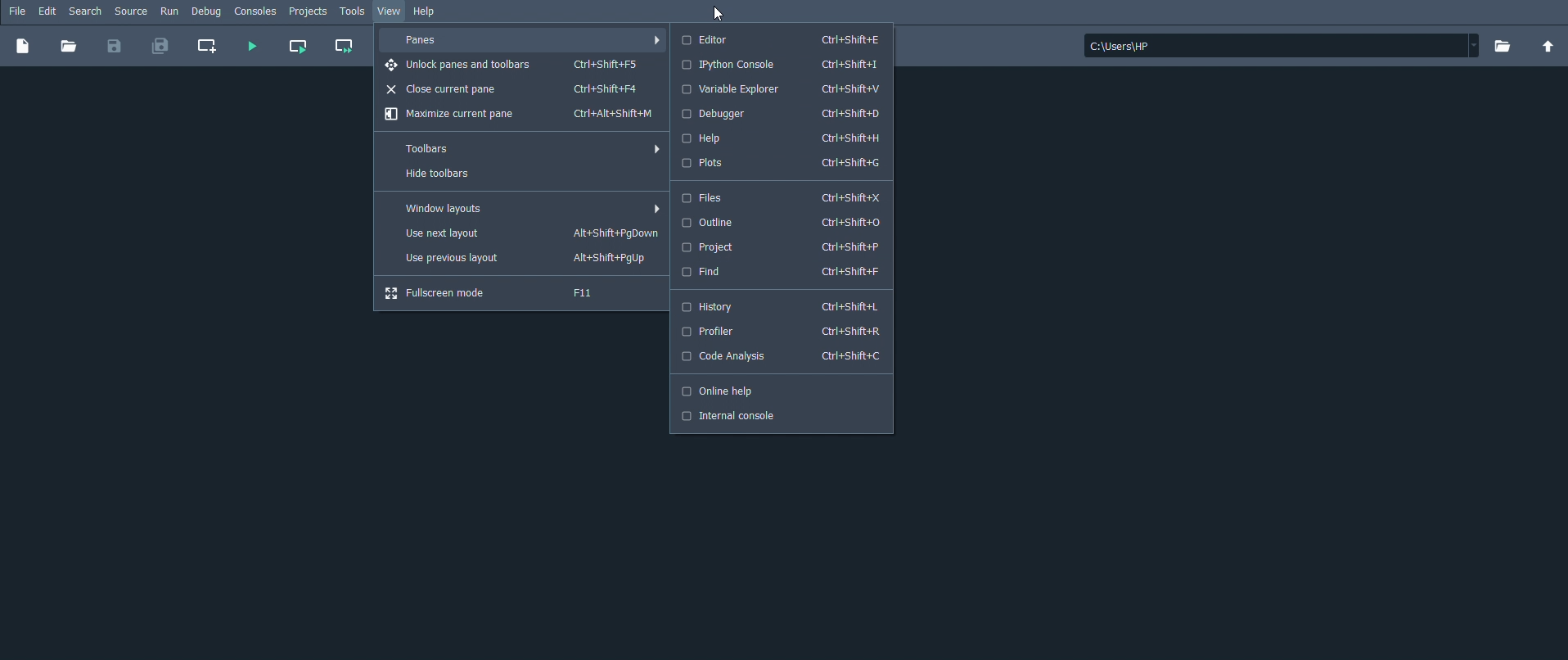 Image resolution: width=1568 pixels, height=660 pixels. I want to click on Code Analysis, so click(782, 357).